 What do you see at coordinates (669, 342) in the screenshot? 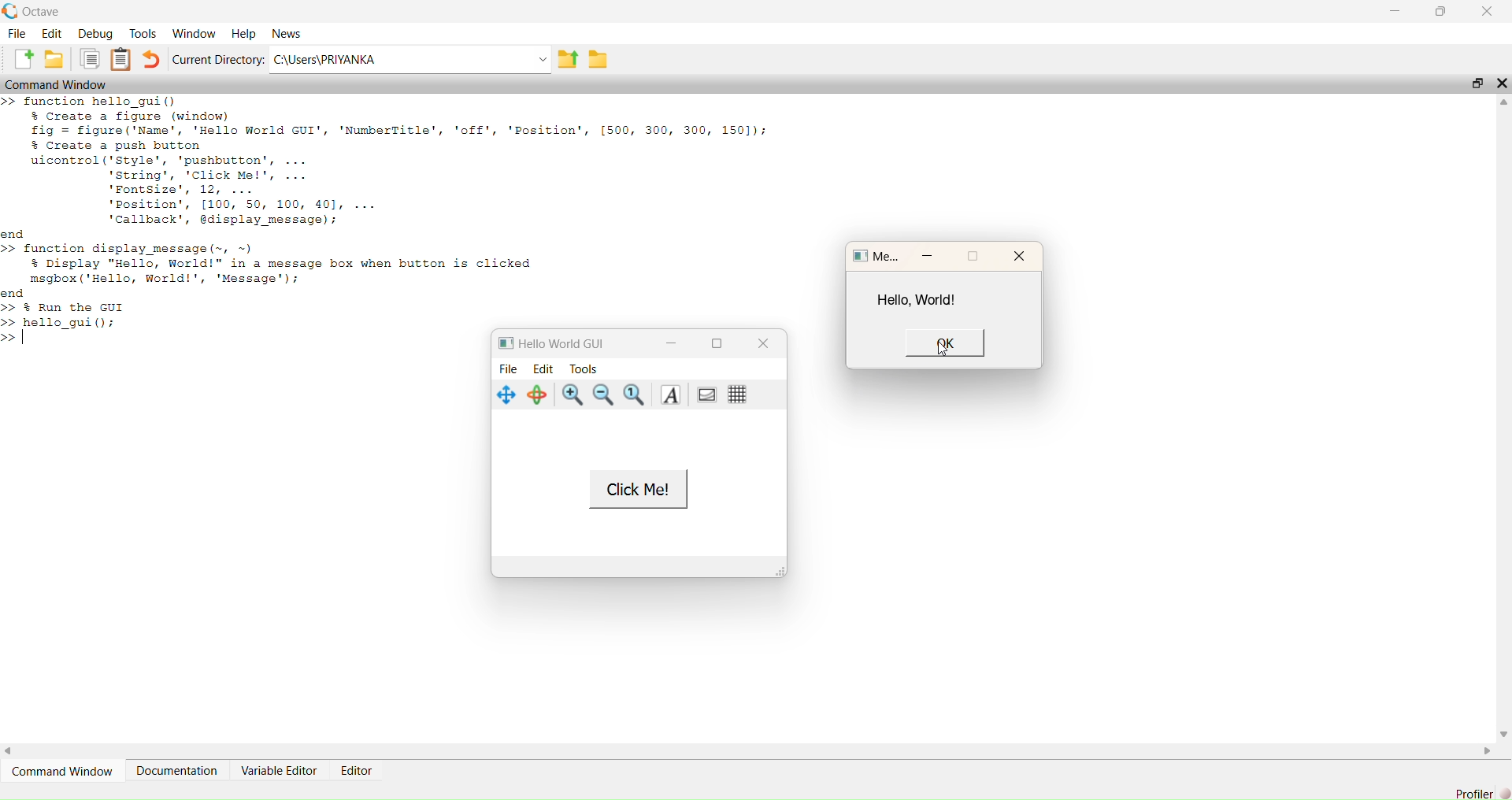
I see `minimise` at bounding box center [669, 342].